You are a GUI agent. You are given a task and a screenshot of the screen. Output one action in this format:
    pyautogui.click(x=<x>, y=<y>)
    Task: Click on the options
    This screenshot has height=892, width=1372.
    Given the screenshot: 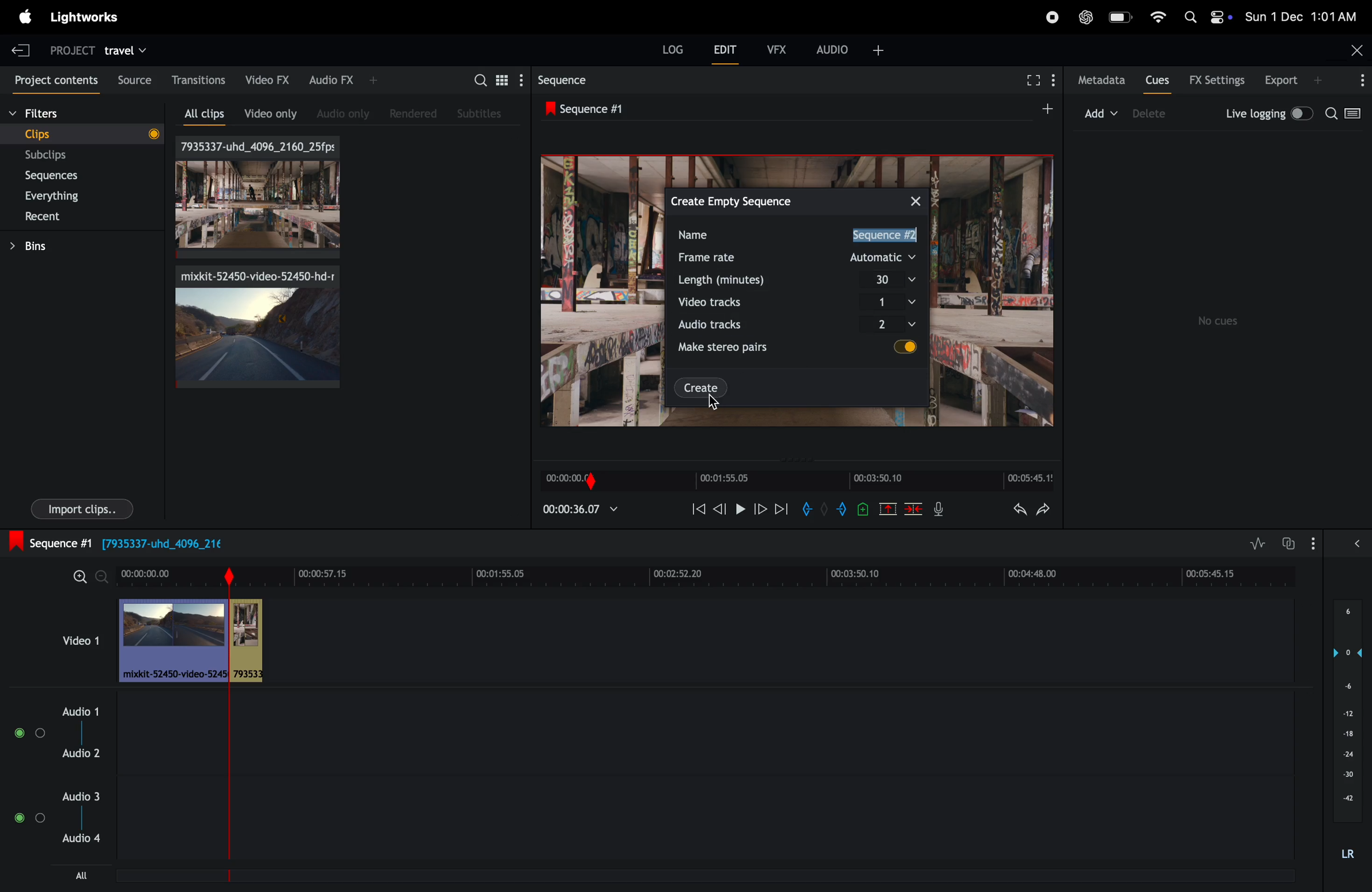 What is the action you would take?
    pyautogui.click(x=1360, y=81)
    